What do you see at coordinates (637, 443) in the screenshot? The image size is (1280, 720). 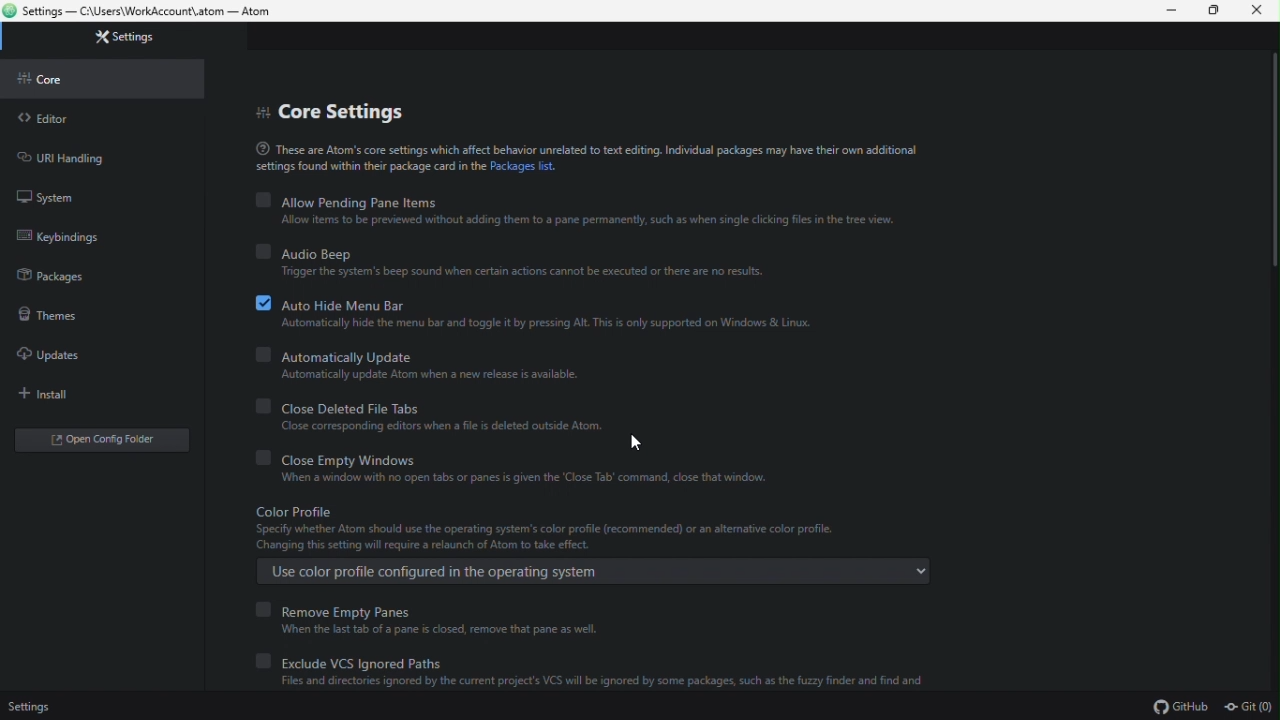 I see `cursor` at bounding box center [637, 443].